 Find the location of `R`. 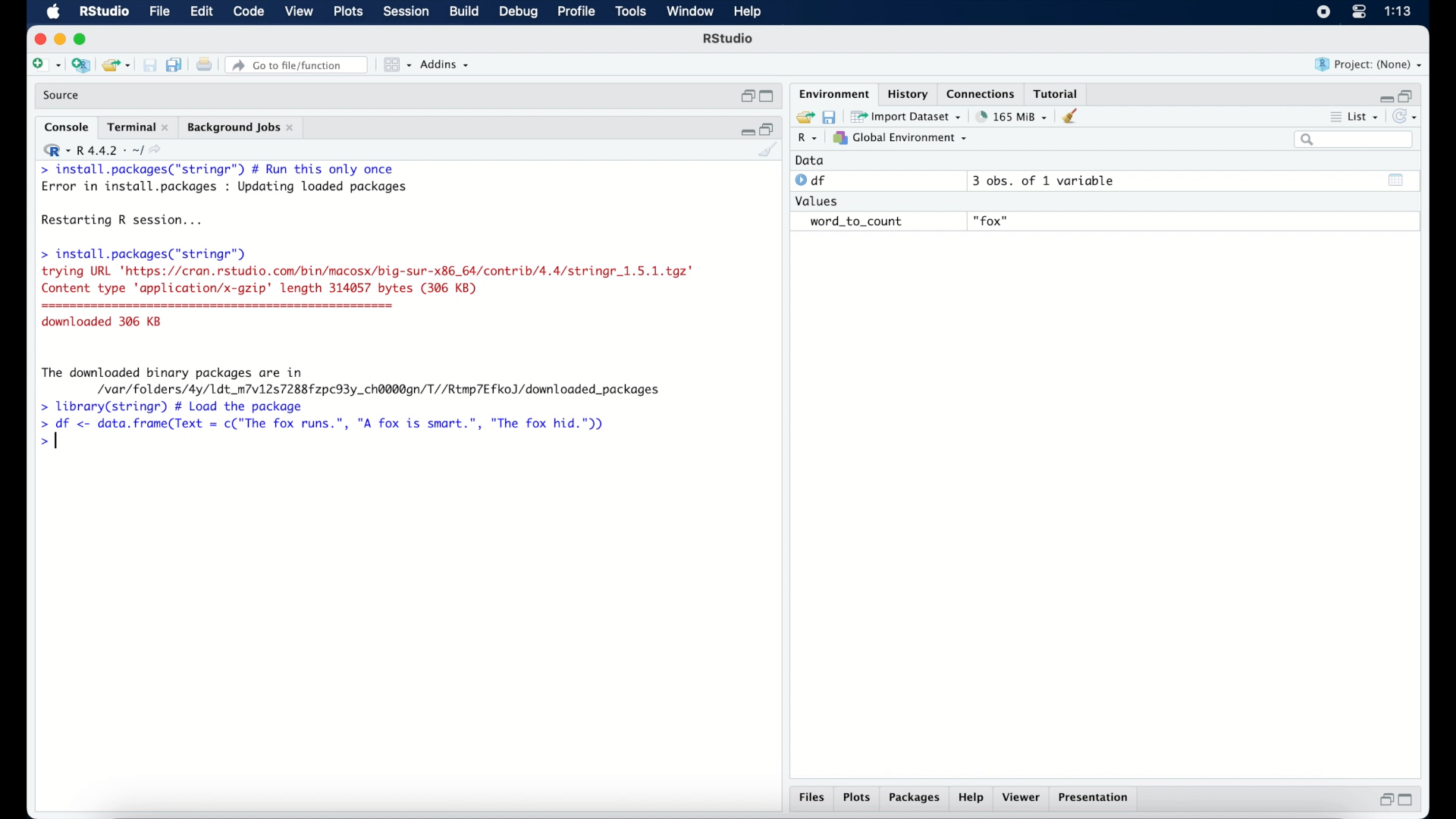

R is located at coordinates (808, 139).